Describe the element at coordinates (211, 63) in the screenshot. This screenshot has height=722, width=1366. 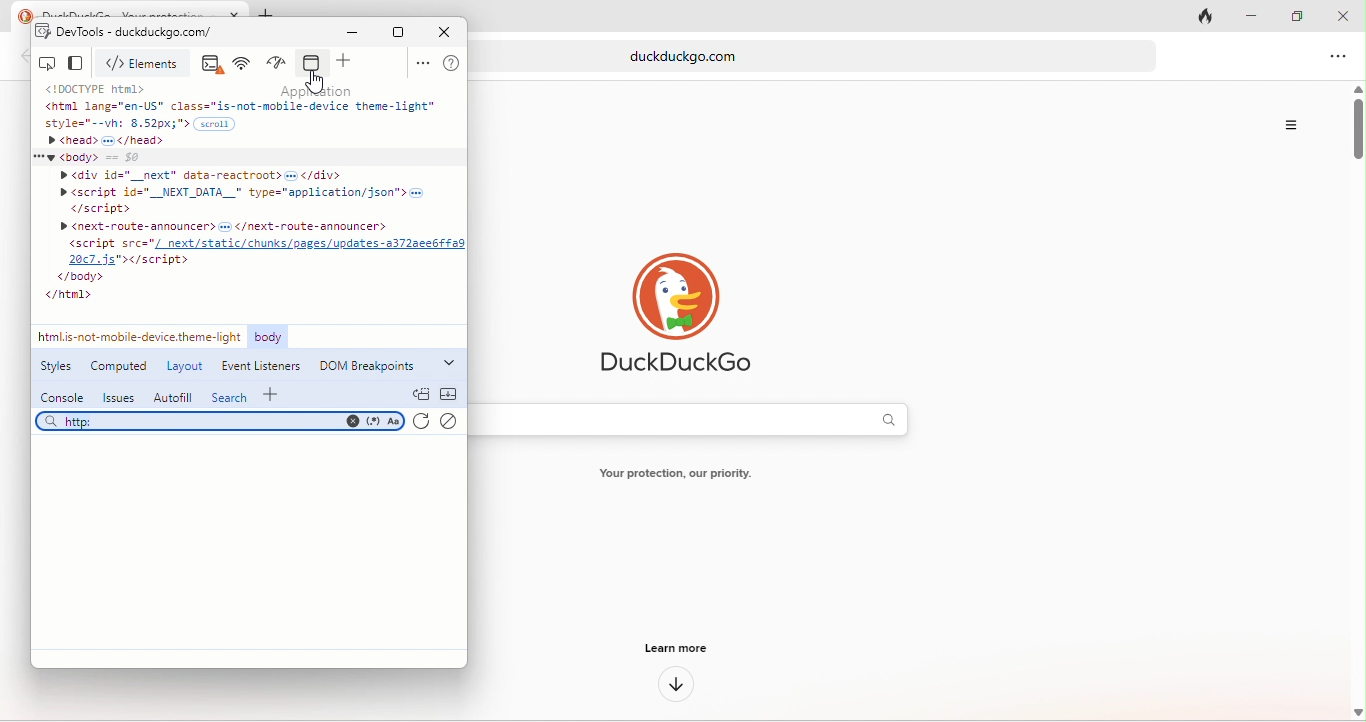
I see `console` at that location.